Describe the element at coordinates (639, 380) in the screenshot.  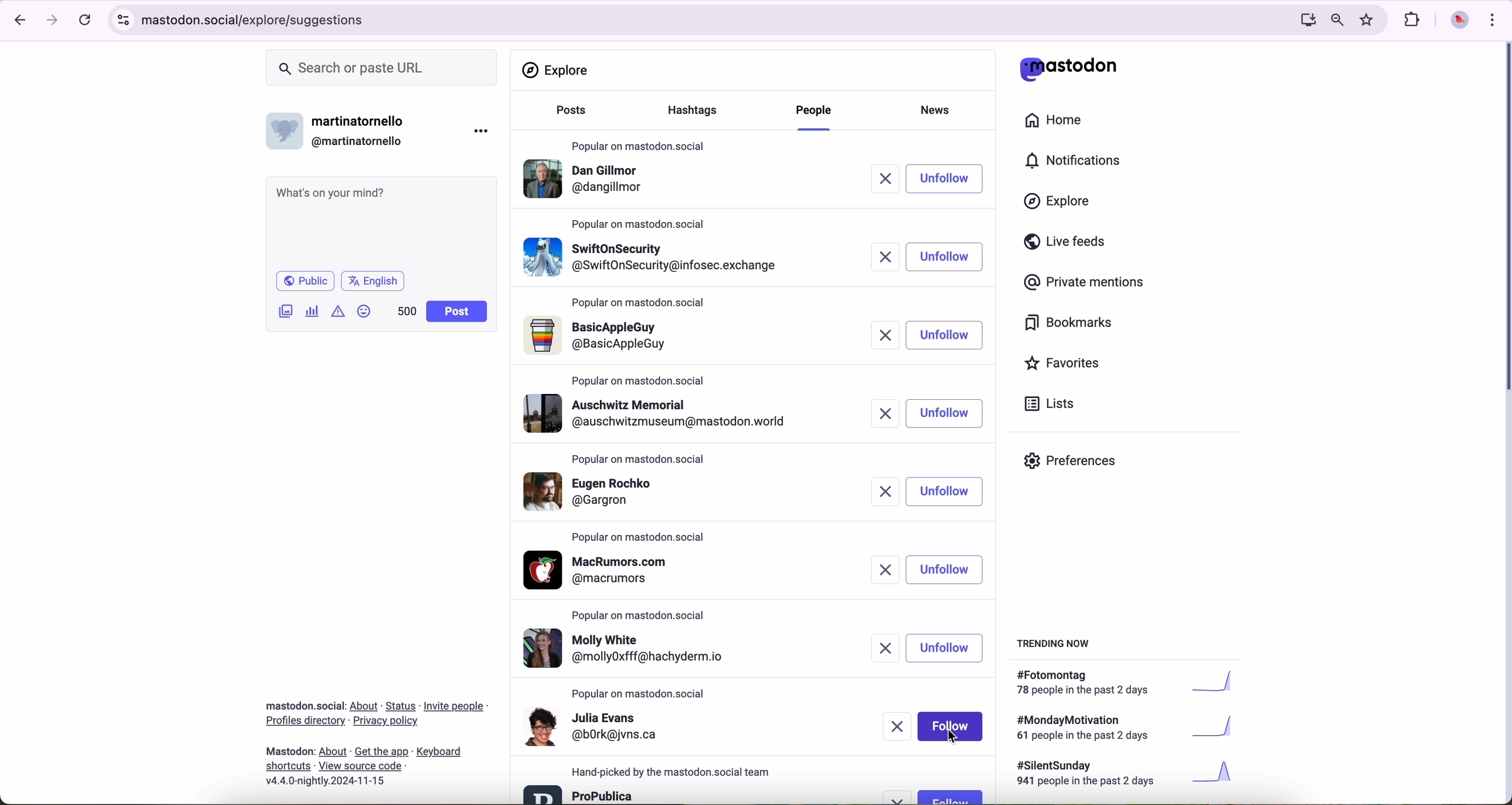
I see `popular` at that location.